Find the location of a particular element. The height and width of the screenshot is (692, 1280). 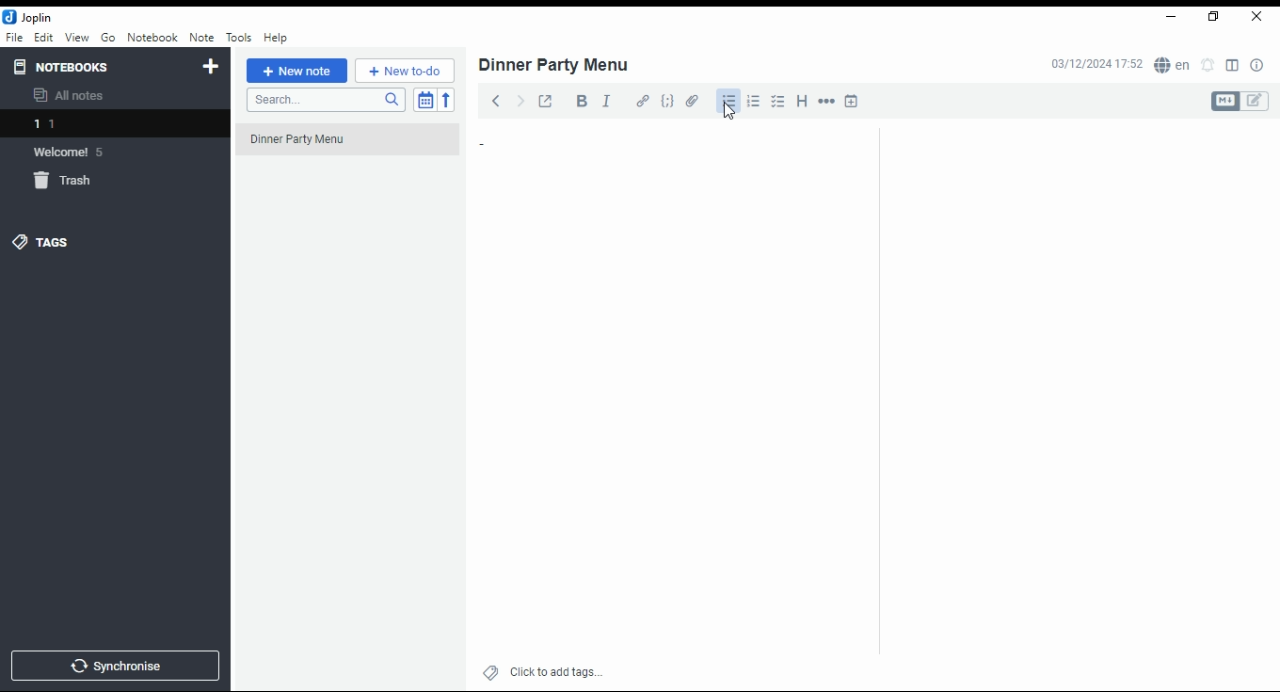

view is located at coordinates (76, 38).